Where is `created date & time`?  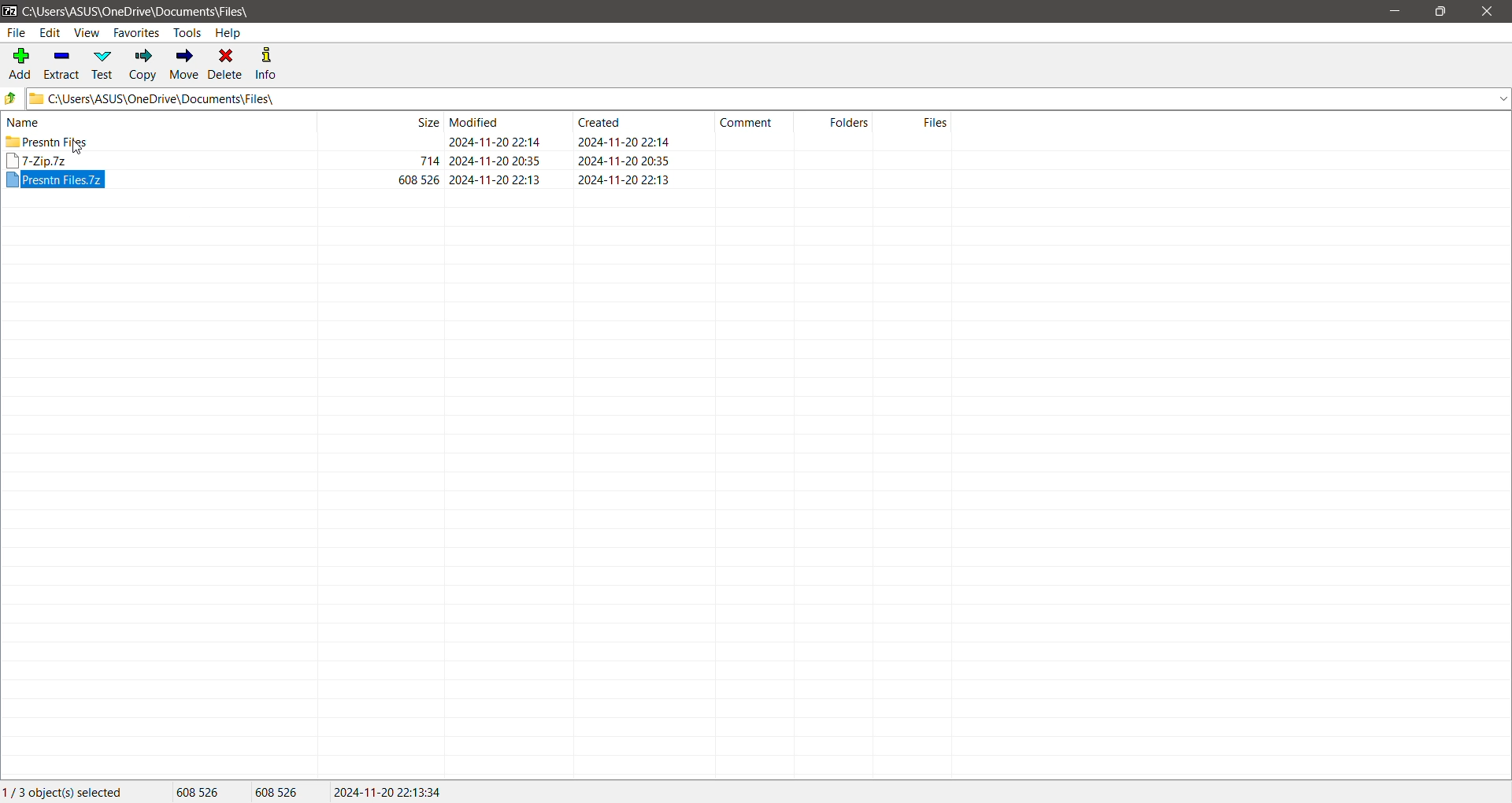 created date & time is located at coordinates (623, 142).